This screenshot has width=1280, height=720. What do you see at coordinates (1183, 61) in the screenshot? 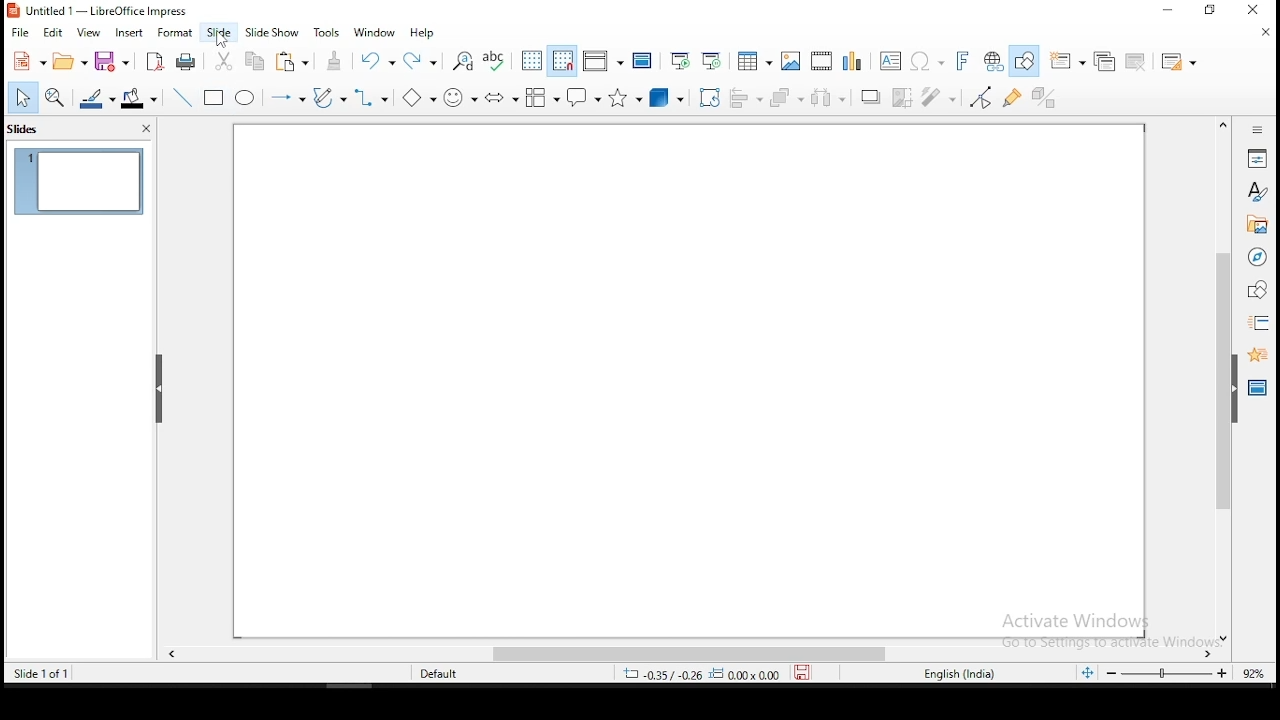
I see `slide layout` at bounding box center [1183, 61].